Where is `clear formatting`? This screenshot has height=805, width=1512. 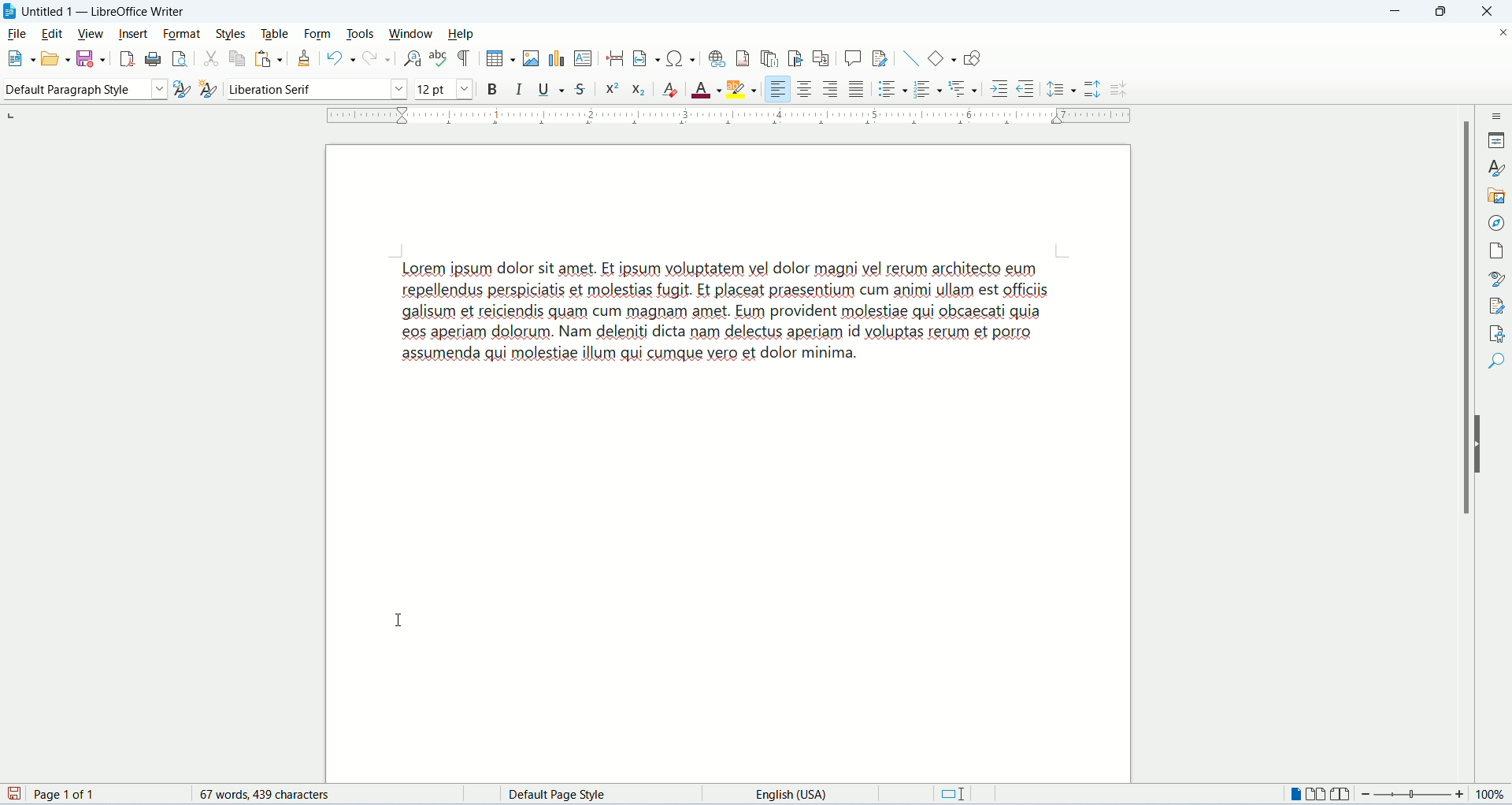 clear formatting is located at coordinates (669, 90).